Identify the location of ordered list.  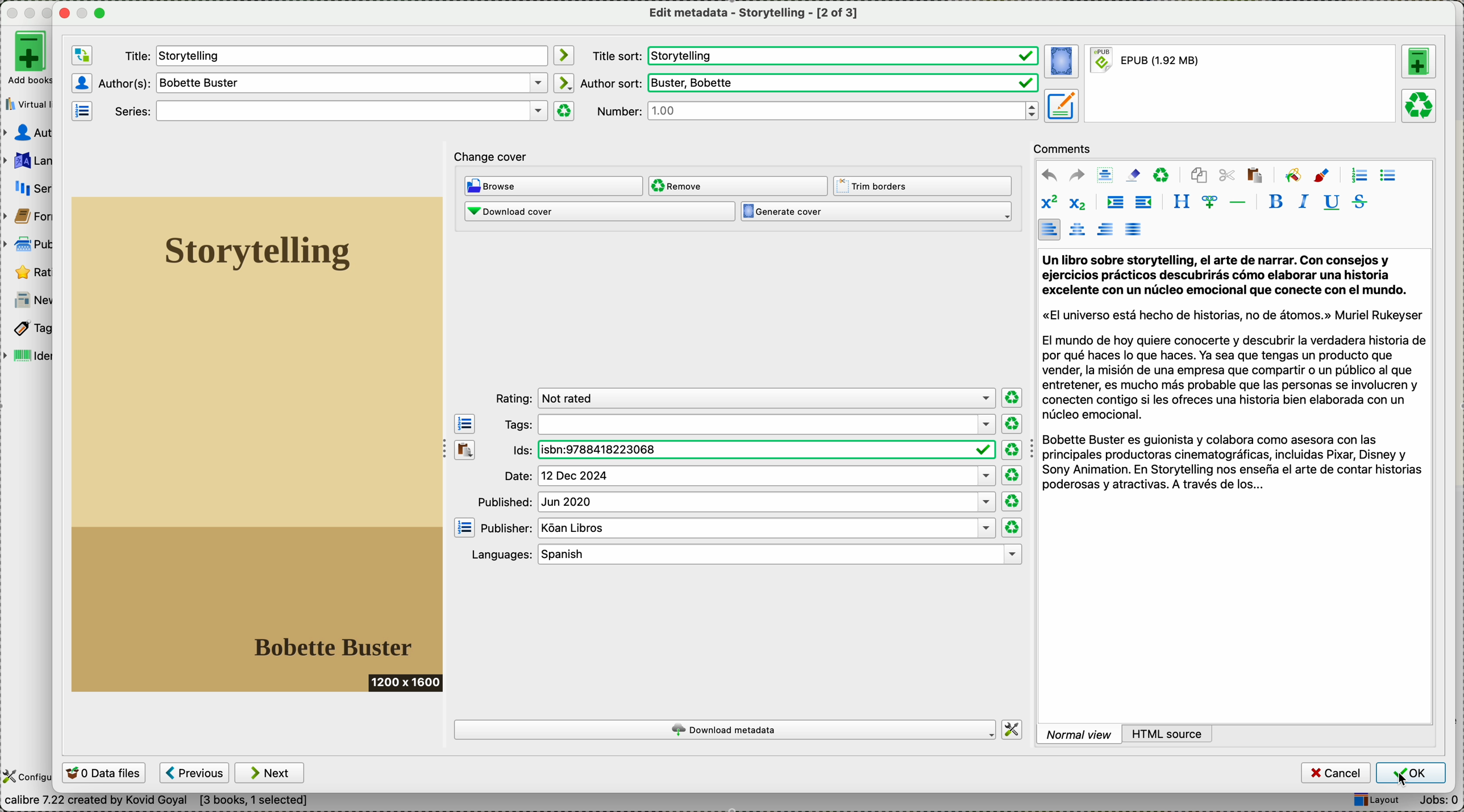
(1358, 175).